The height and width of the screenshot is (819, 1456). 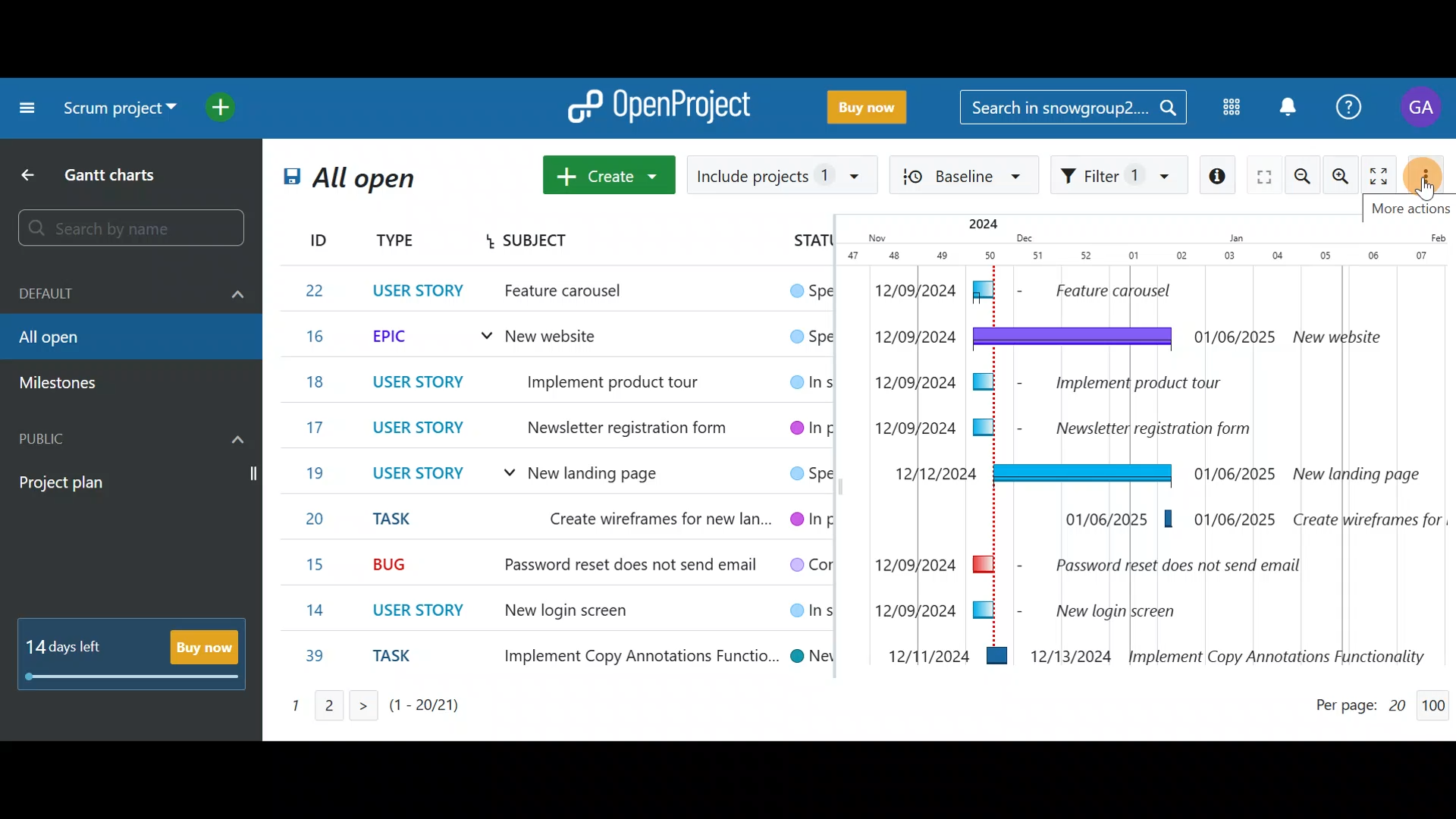 I want to click on Per page: 20, so click(x=1360, y=702).